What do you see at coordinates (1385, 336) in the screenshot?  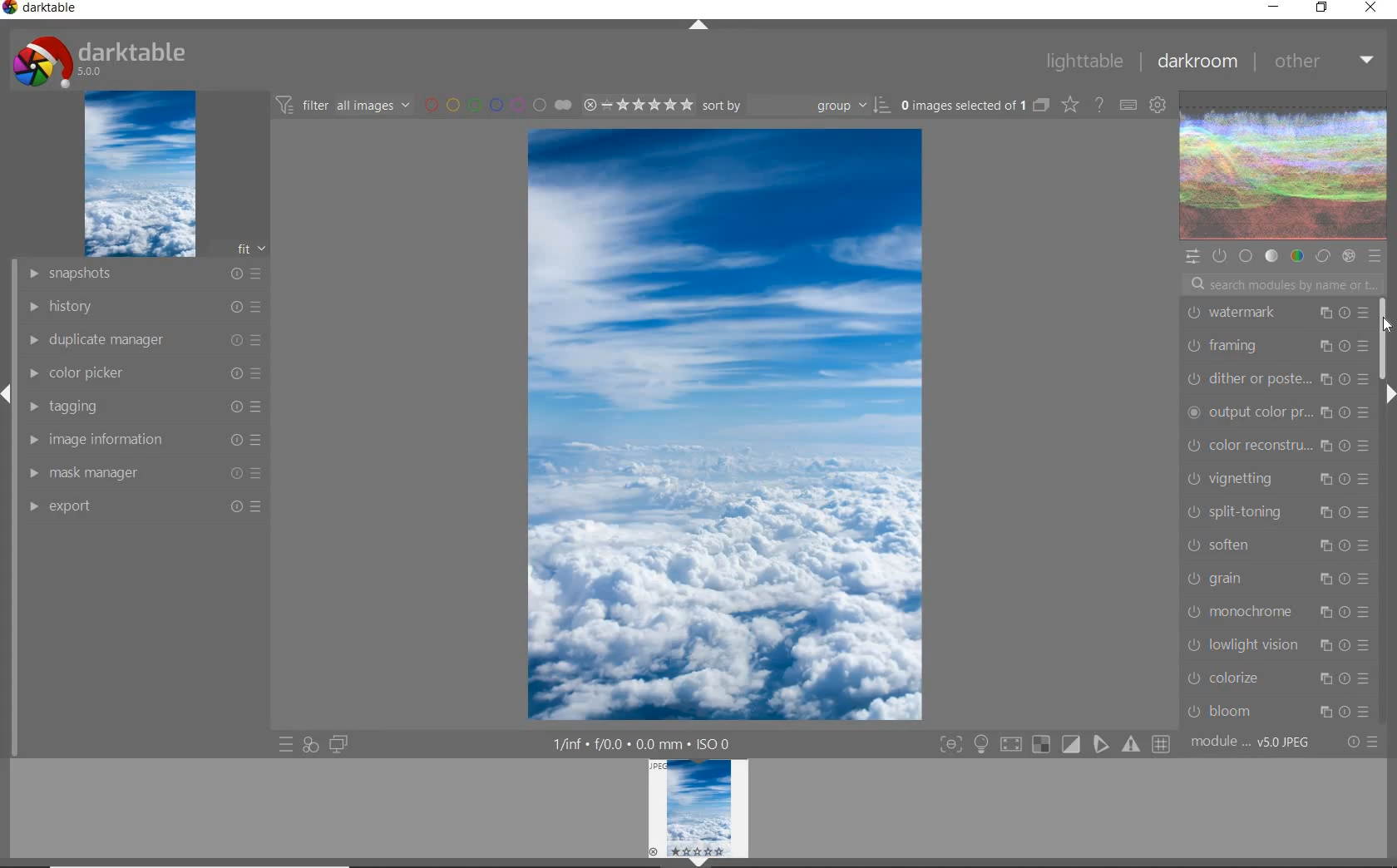 I see `SCROLLBAR` at bounding box center [1385, 336].